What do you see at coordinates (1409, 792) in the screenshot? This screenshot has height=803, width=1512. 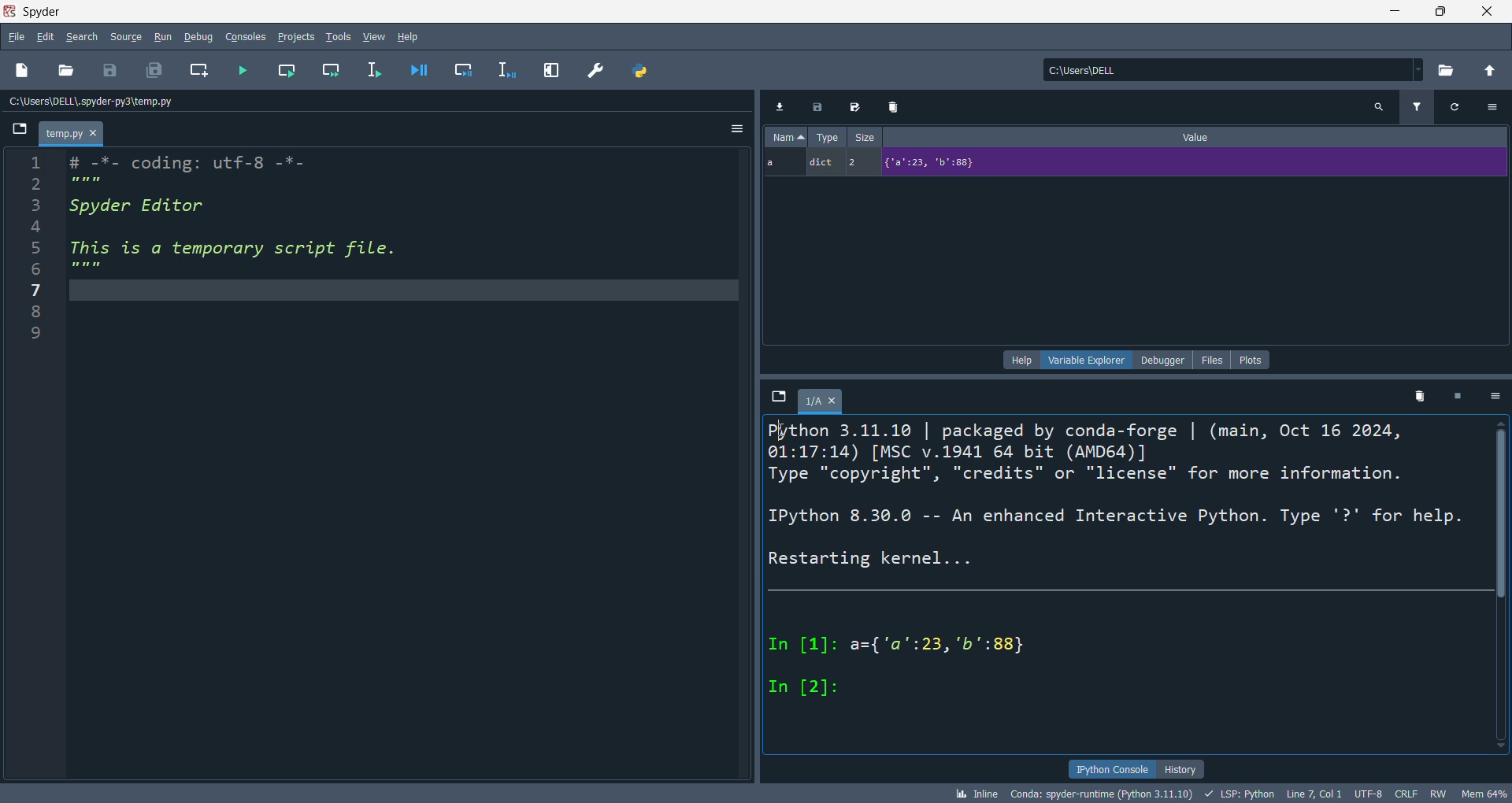 I see `CRLF` at bounding box center [1409, 792].